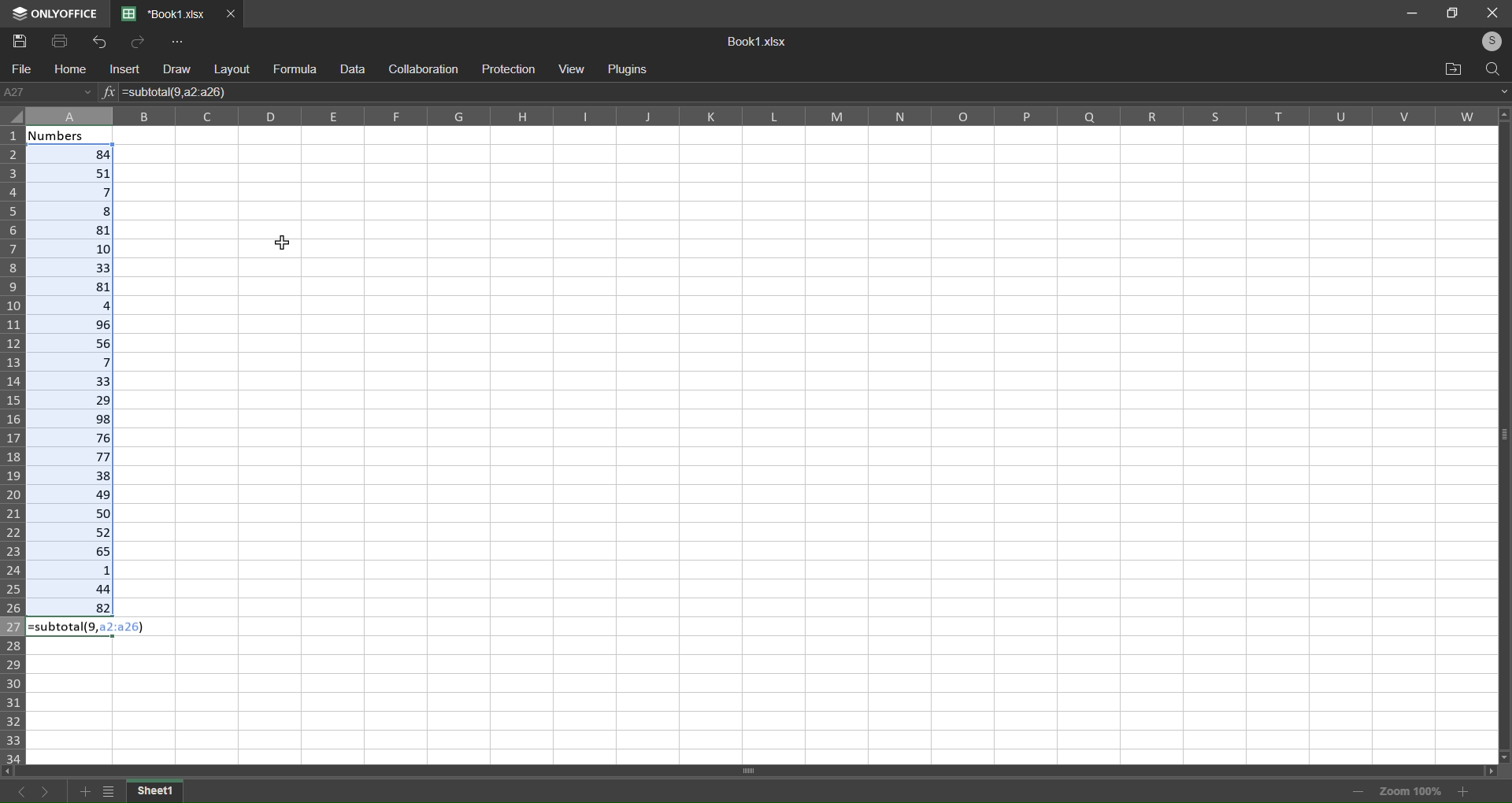 The image size is (1512, 803). Describe the element at coordinates (1503, 436) in the screenshot. I see `Vertical scroll bar` at that location.